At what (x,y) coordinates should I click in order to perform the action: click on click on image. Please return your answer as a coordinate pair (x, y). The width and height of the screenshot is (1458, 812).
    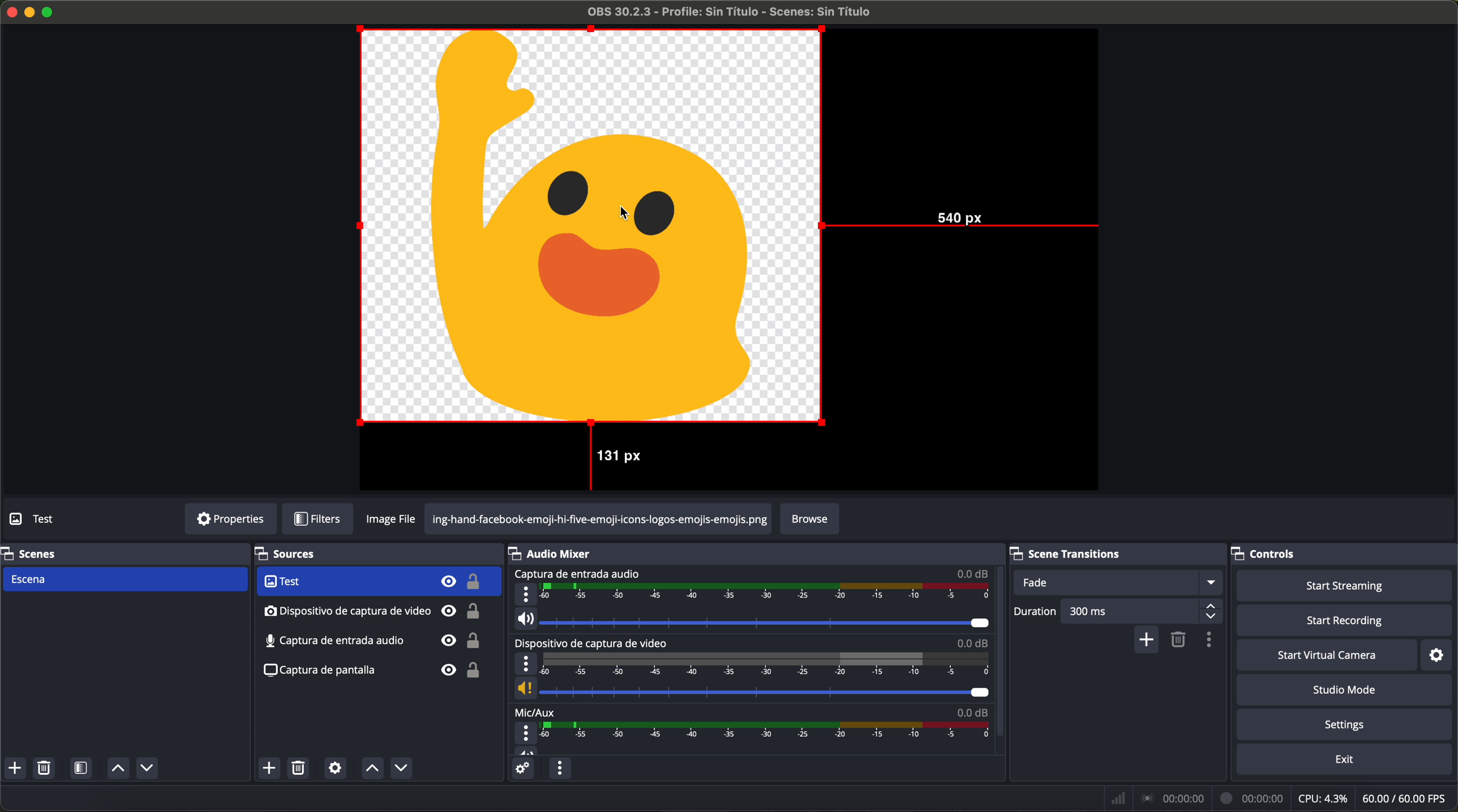
    Looking at the image, I should click on (591, 227).